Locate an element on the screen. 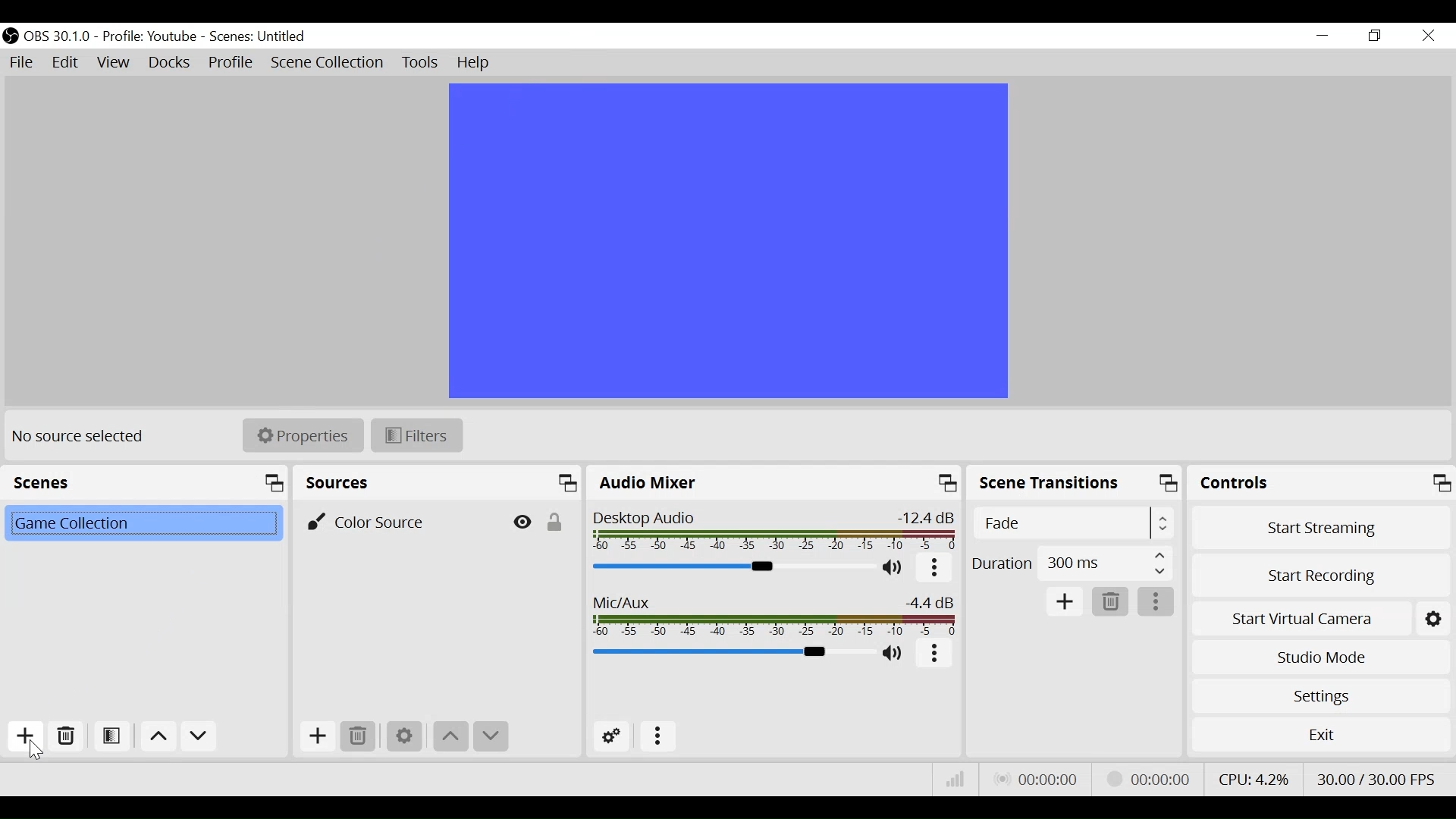 This screenshot has height=819, width=1456. Sources is located at coordinates (440, 483).